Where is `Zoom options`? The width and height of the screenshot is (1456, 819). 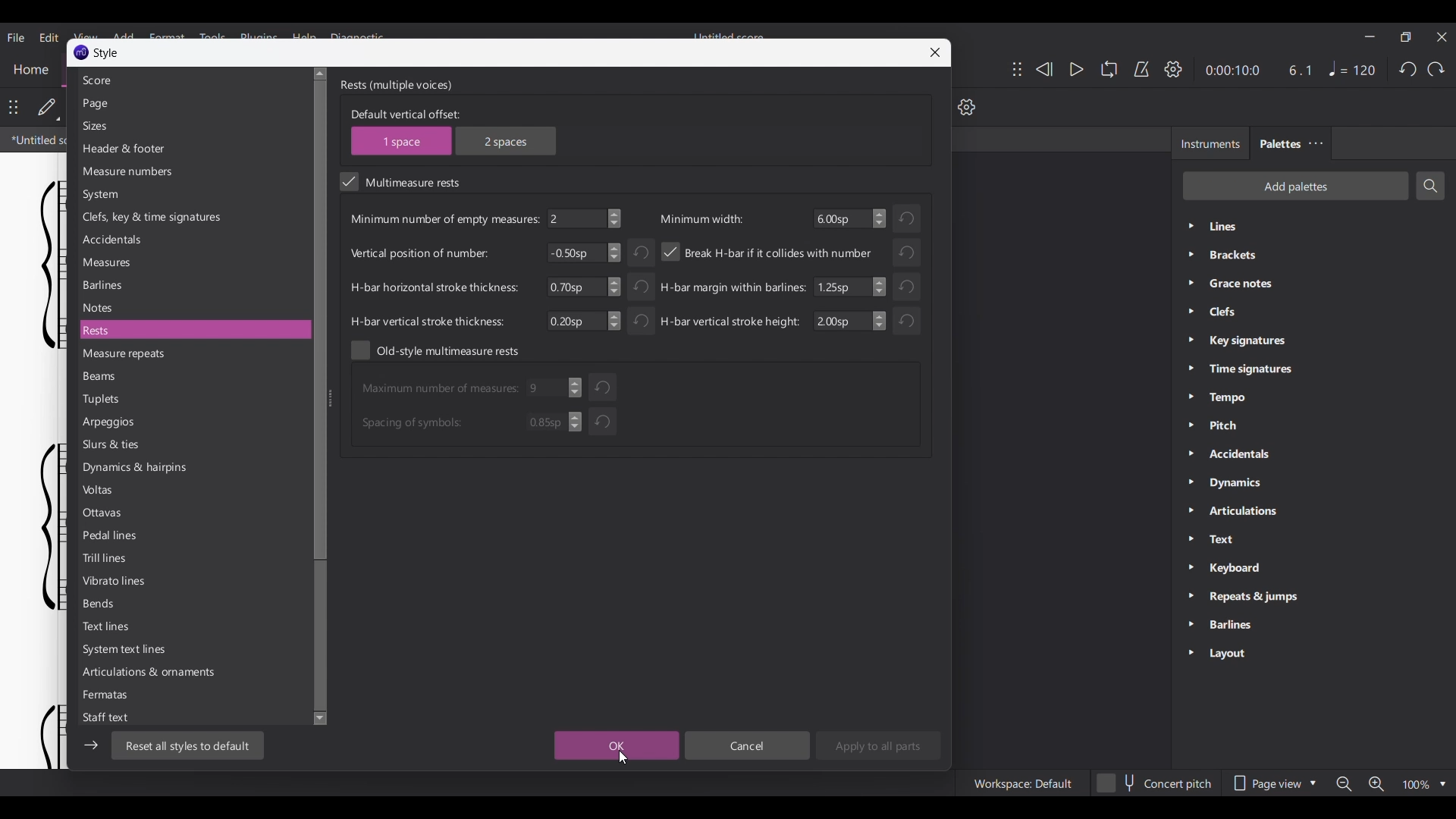
Zoom options is located at coordinates (1442, 784).